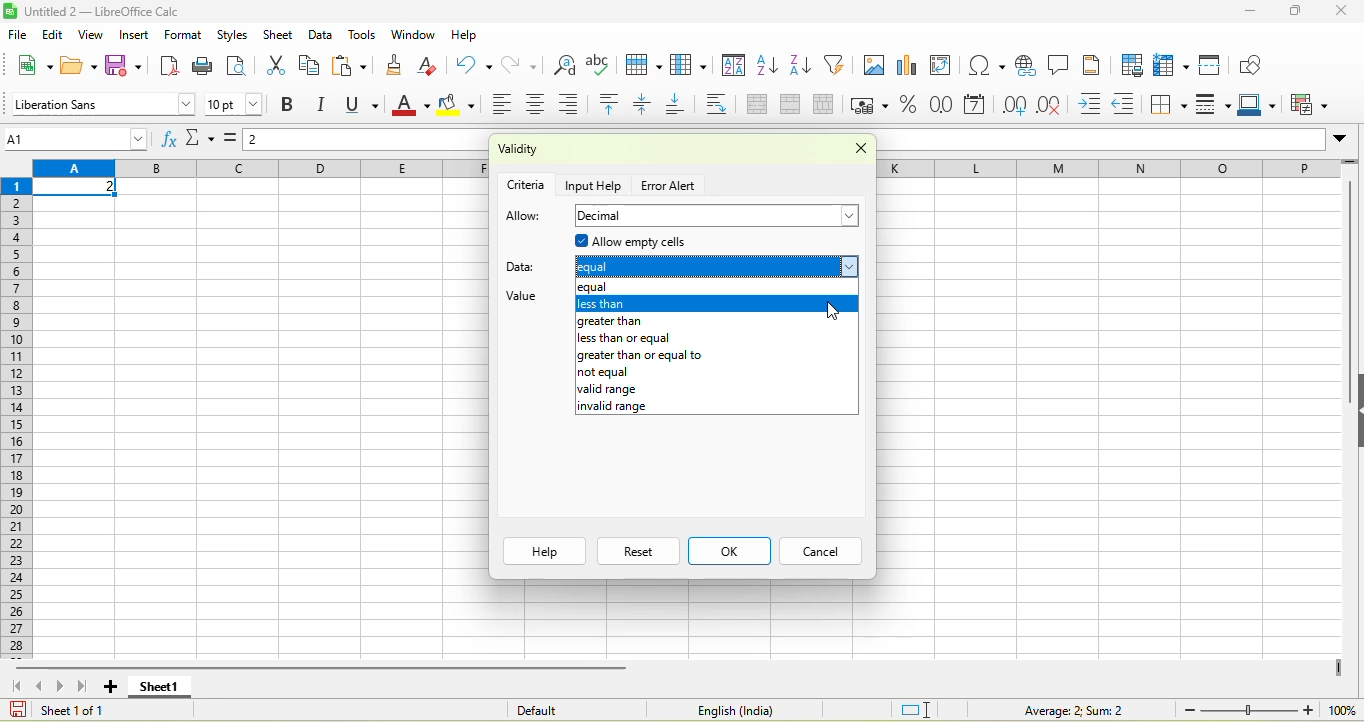 The height and width of the screenshot is (722, 1364). What do you see at coordinates (1057, 106) in the screenshot?
I see `delete decimal` at bounding box center [1057, 106].